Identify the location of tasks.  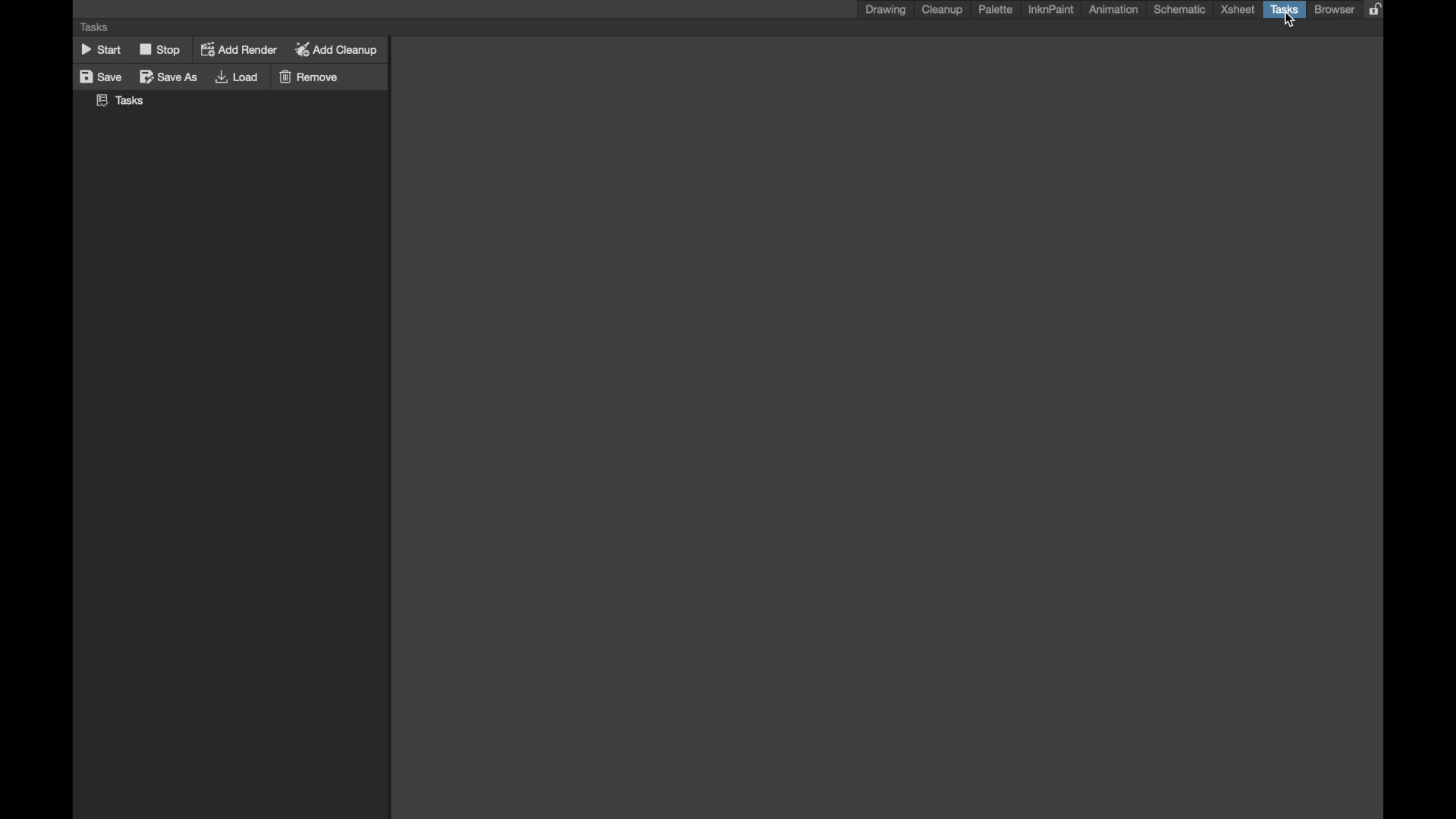
(92, 26).